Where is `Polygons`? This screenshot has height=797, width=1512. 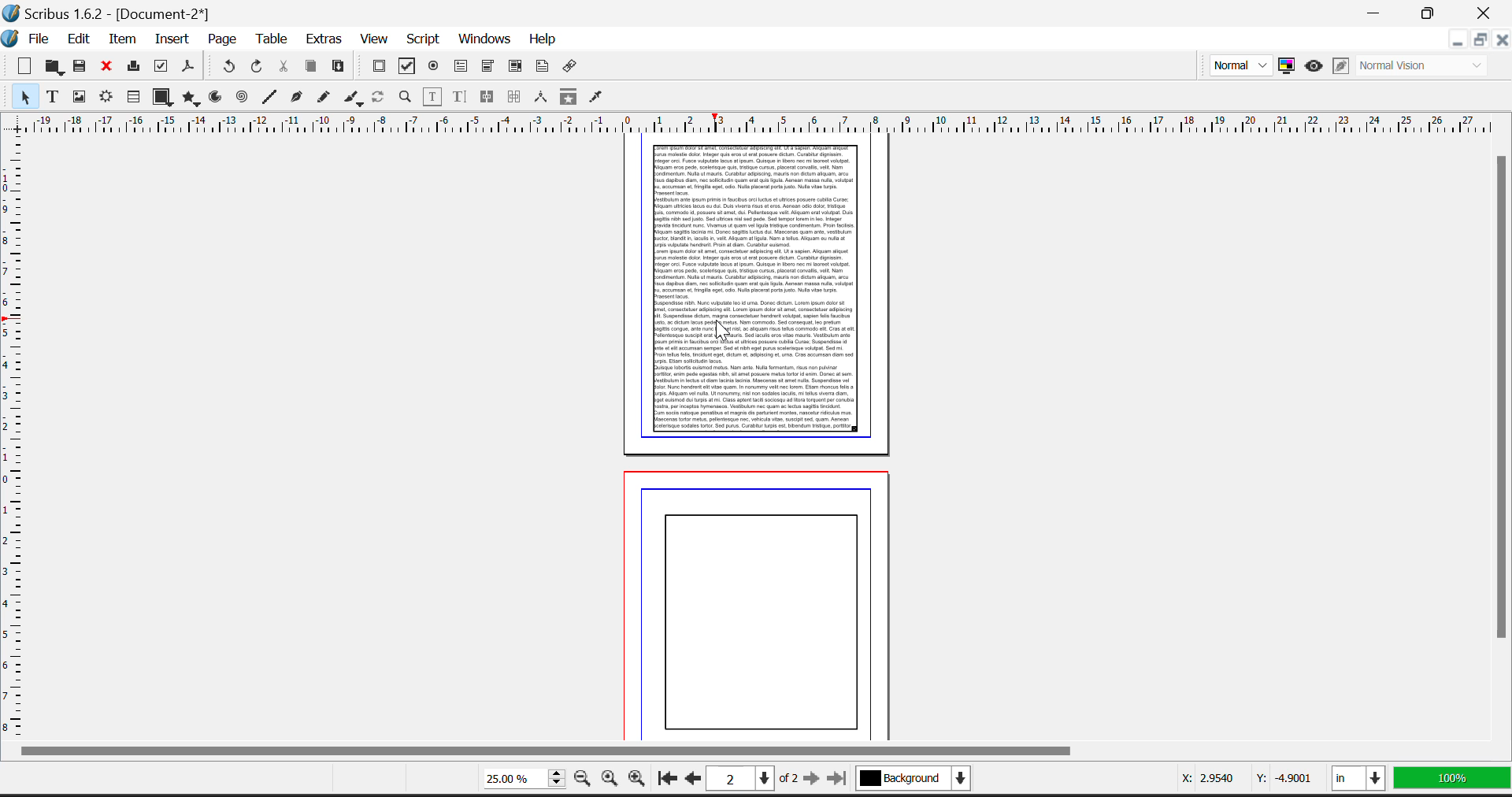 Polygons is located at coordinates (190, 98).